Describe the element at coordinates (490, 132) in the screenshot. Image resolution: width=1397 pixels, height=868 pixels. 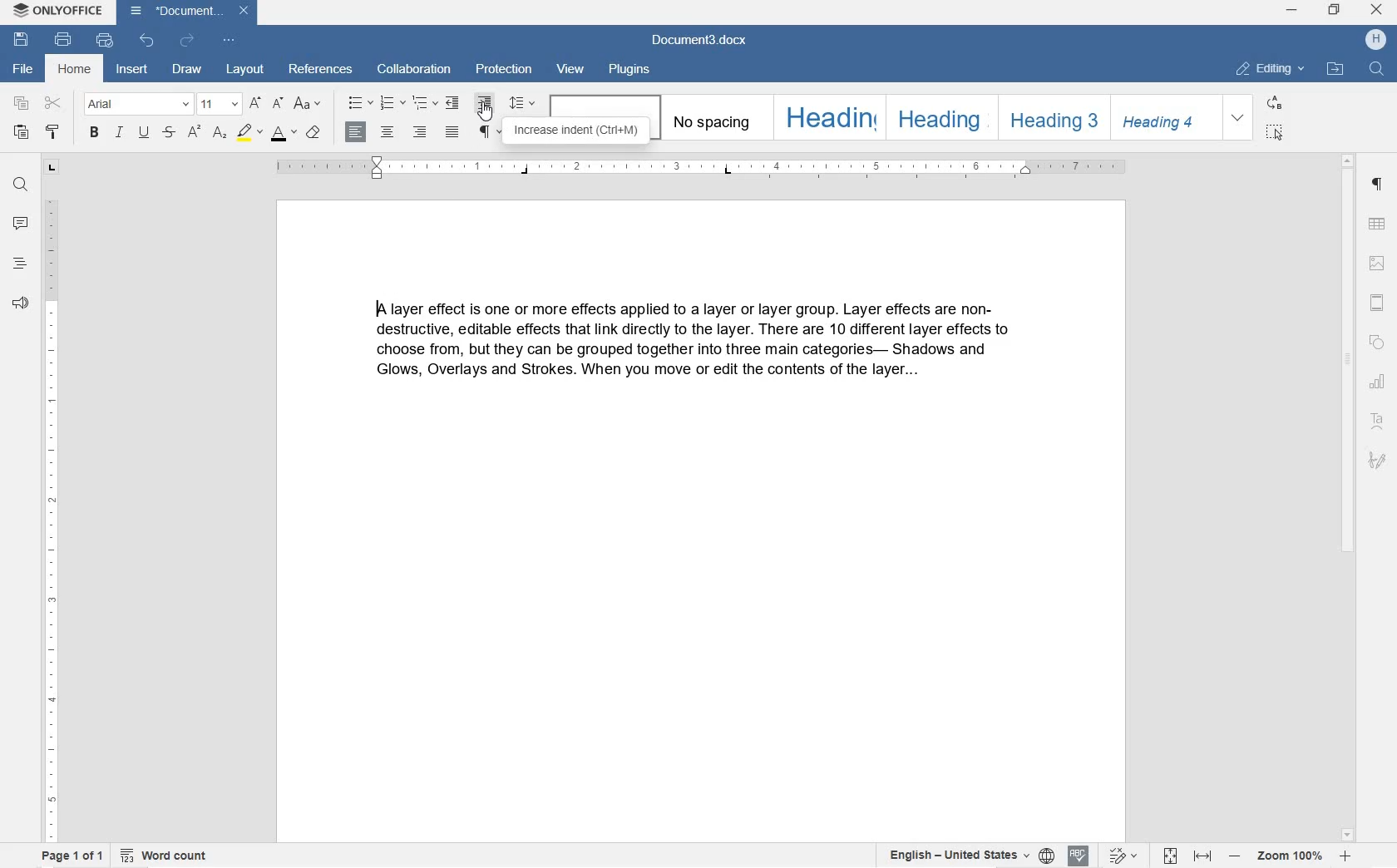
I see `NONPRINTING CHARACTERS` at that location.